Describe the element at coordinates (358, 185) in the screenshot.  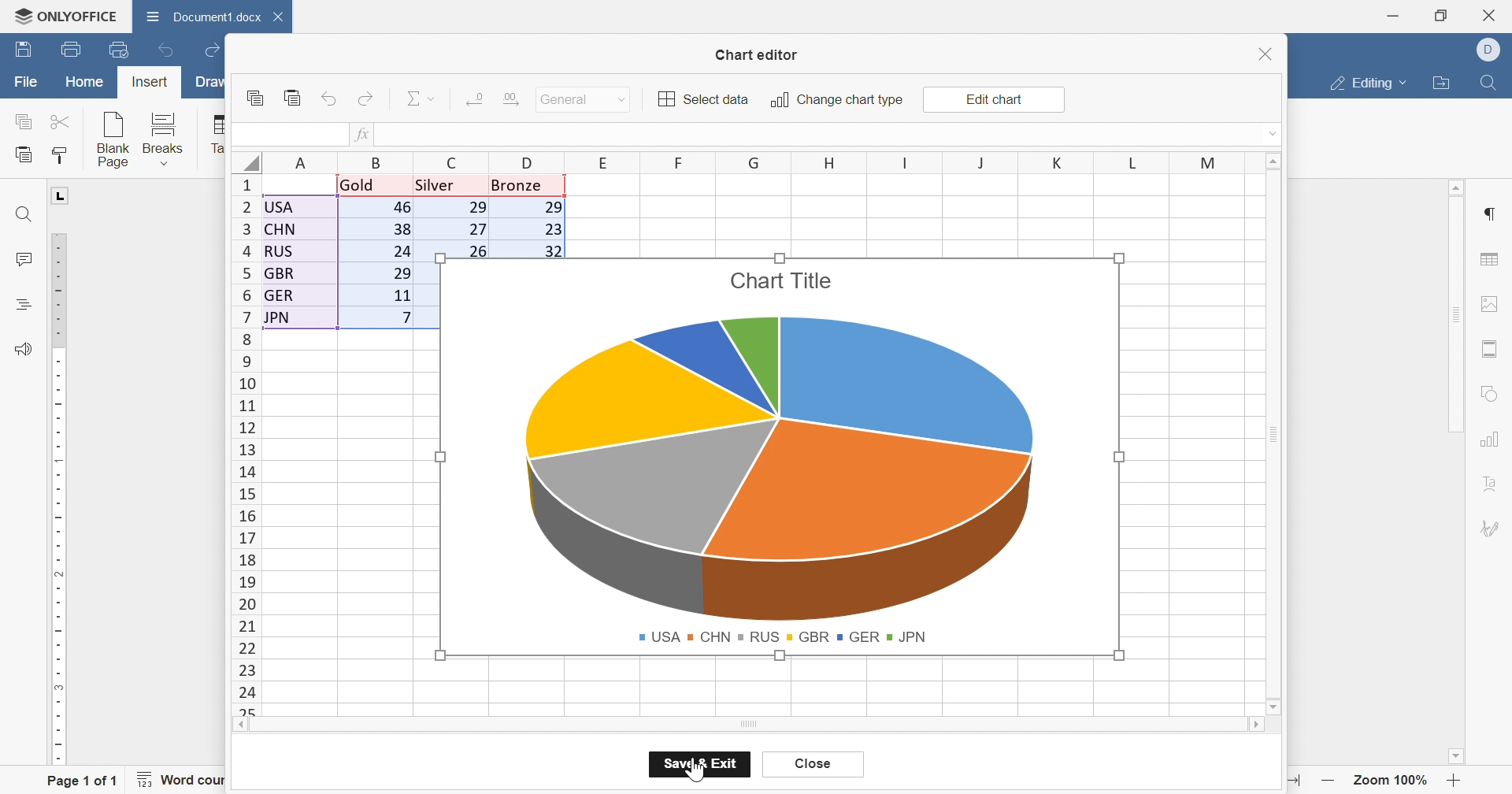
I see `Gold` at that location.